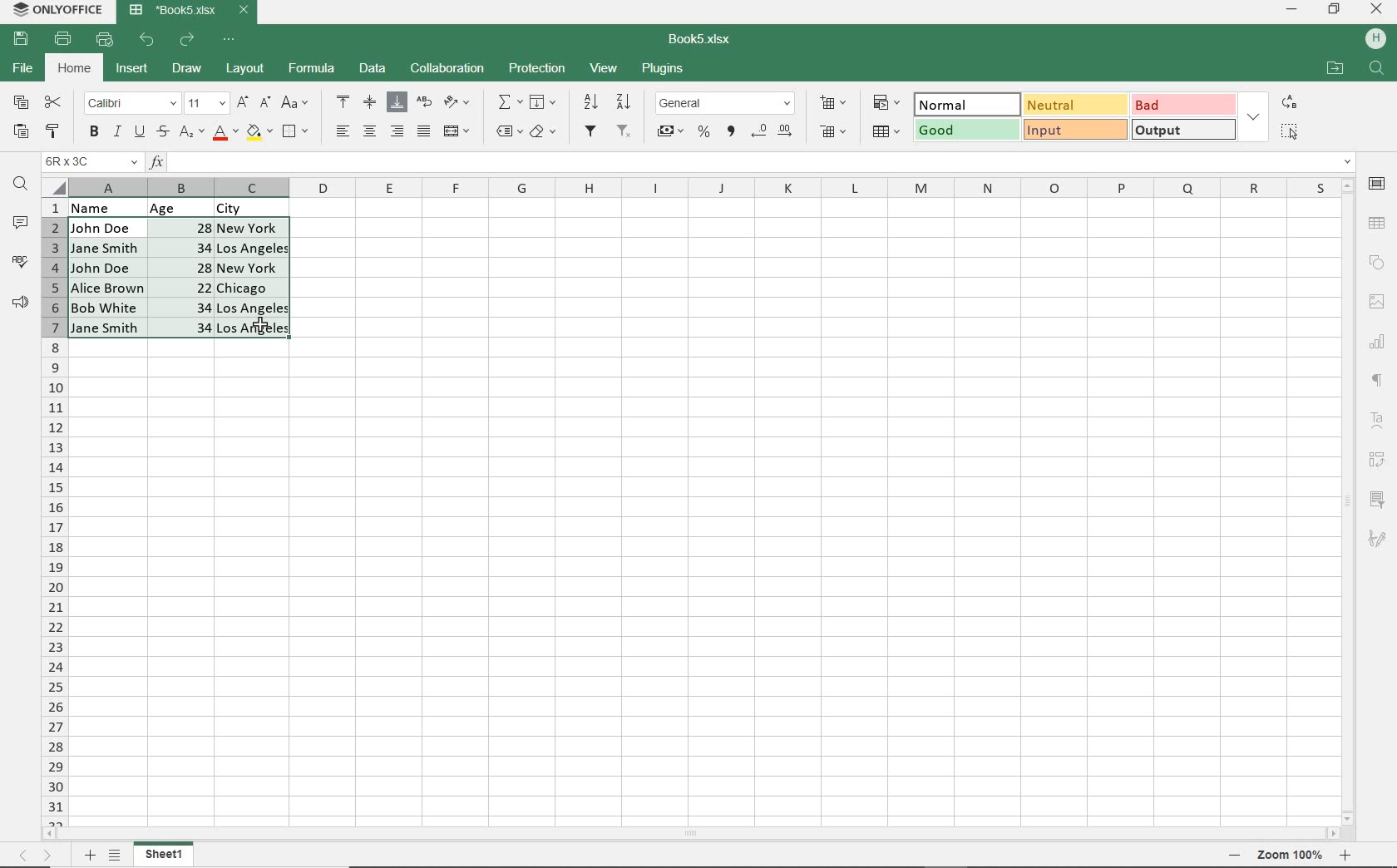 This screenshot has height=868, width=1397. Describe the element at coordinates (1288, 101) in the screenshot. I see `REPLACE` at that location.